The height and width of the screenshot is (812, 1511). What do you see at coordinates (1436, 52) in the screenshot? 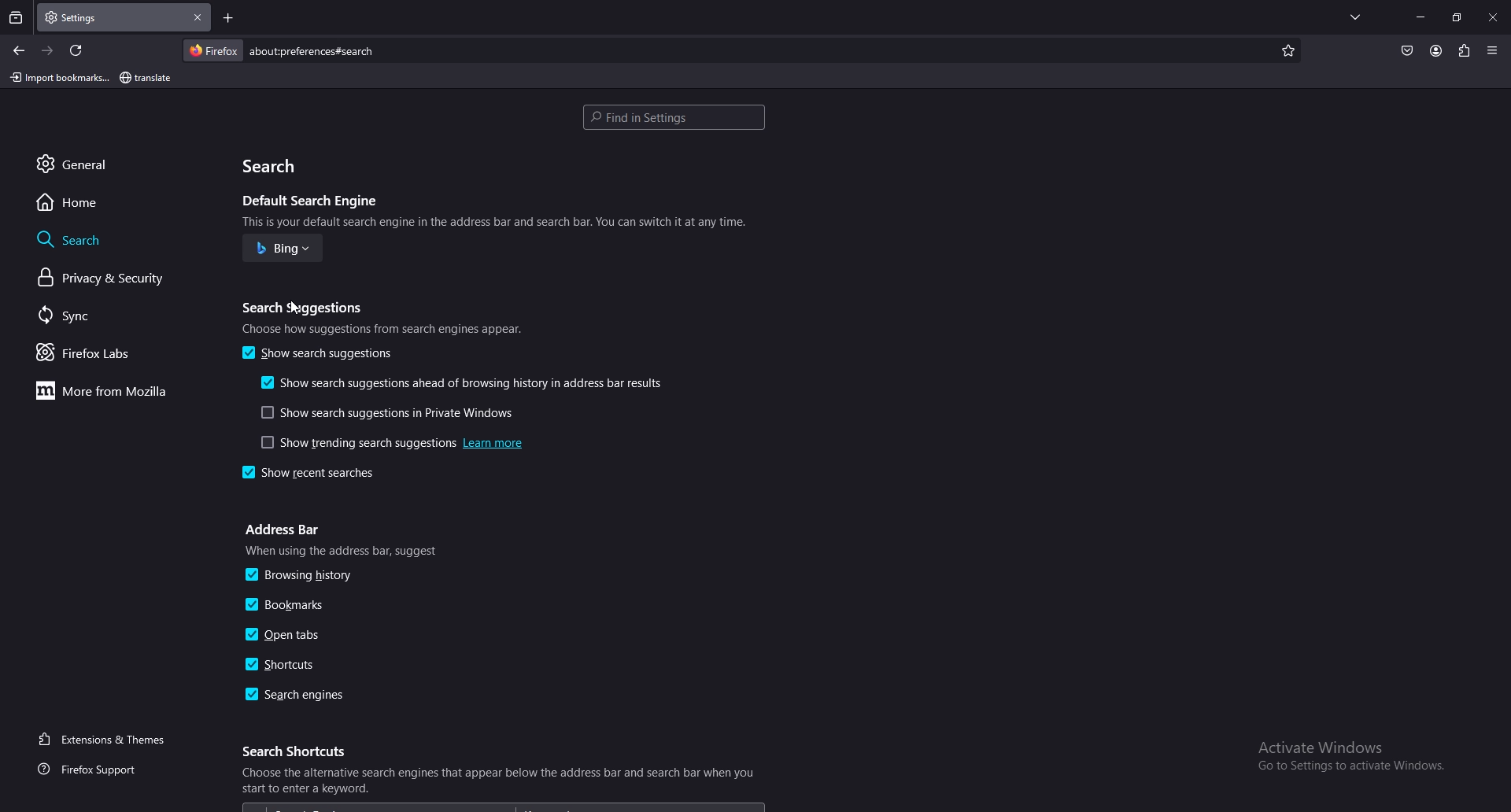
I see `profile` at bounding box center [1436, 52].